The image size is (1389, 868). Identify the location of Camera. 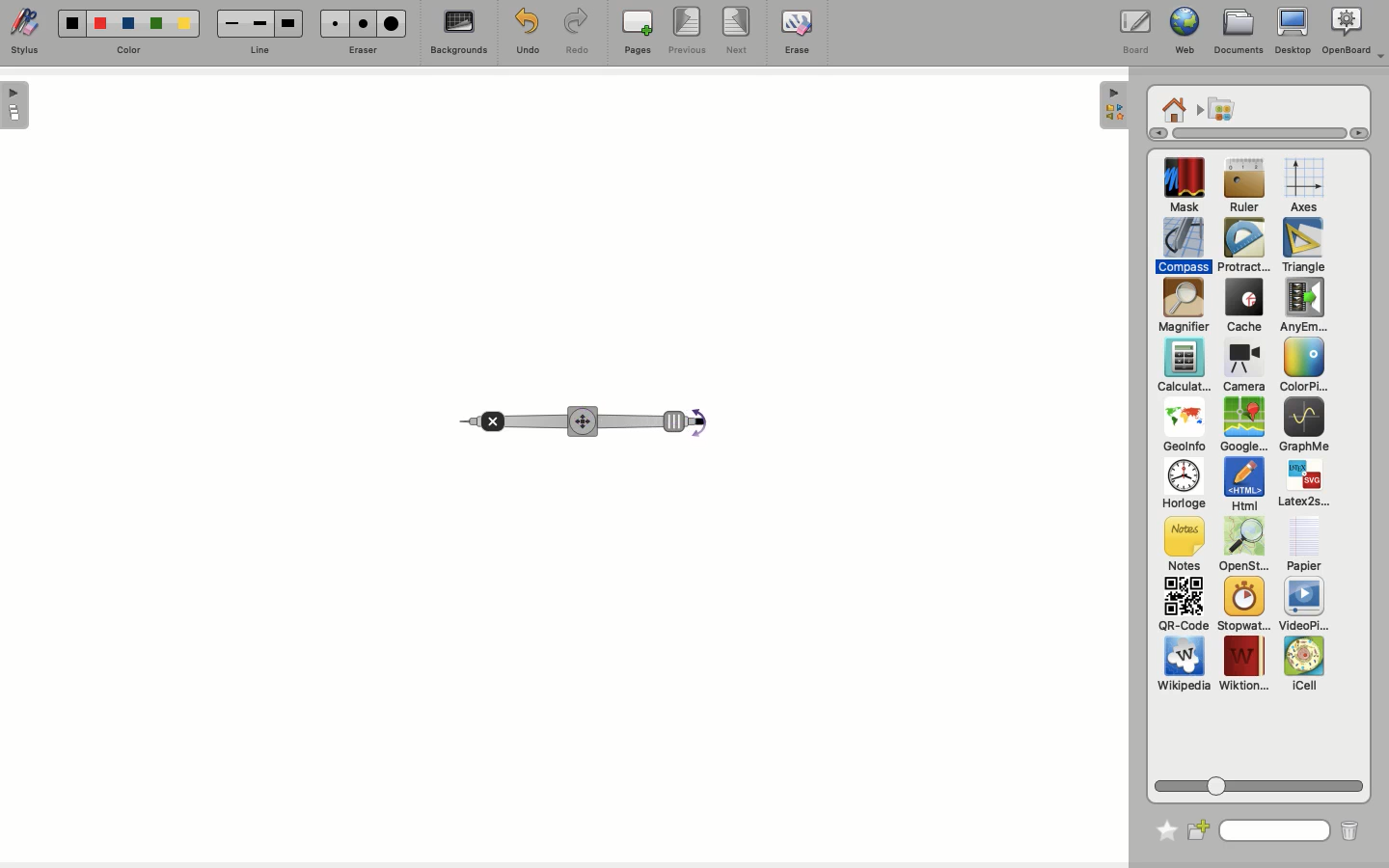
(1242, 366).